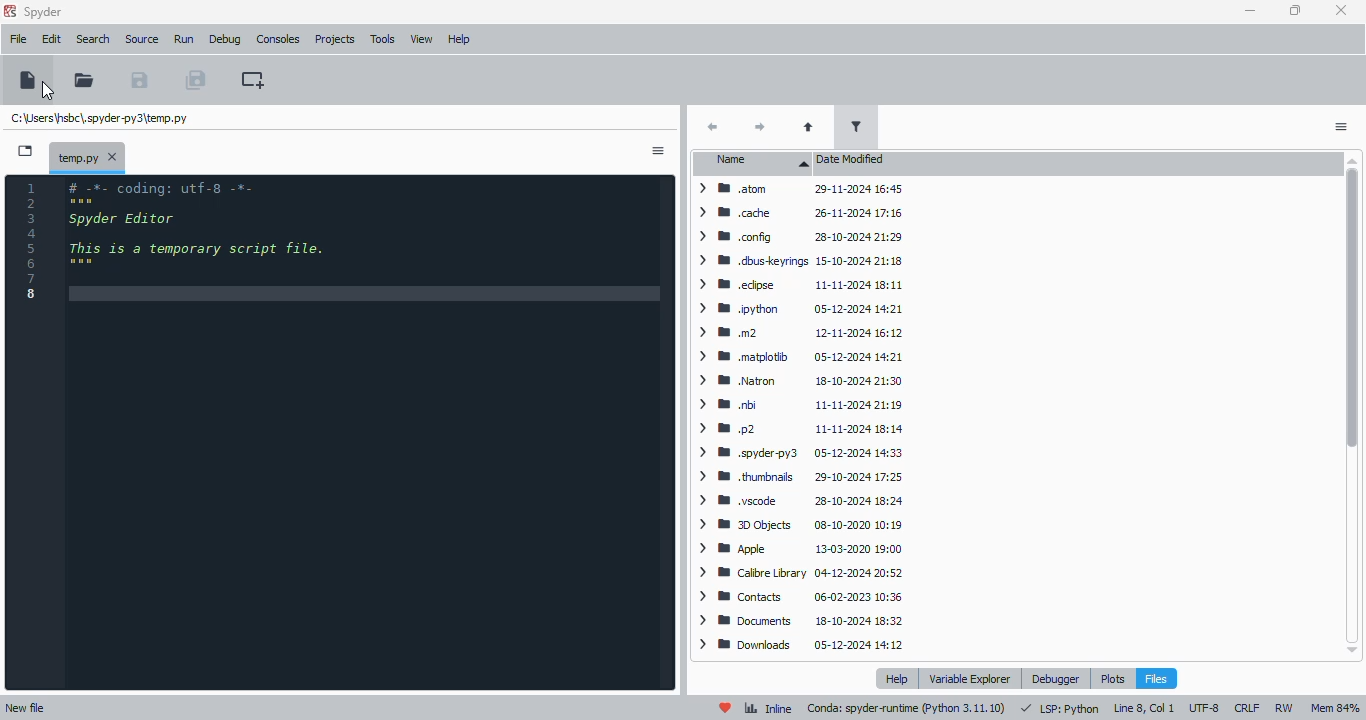 The height and width of the screenshot is (720, 1366). I want to click on run, so click(184, 40).